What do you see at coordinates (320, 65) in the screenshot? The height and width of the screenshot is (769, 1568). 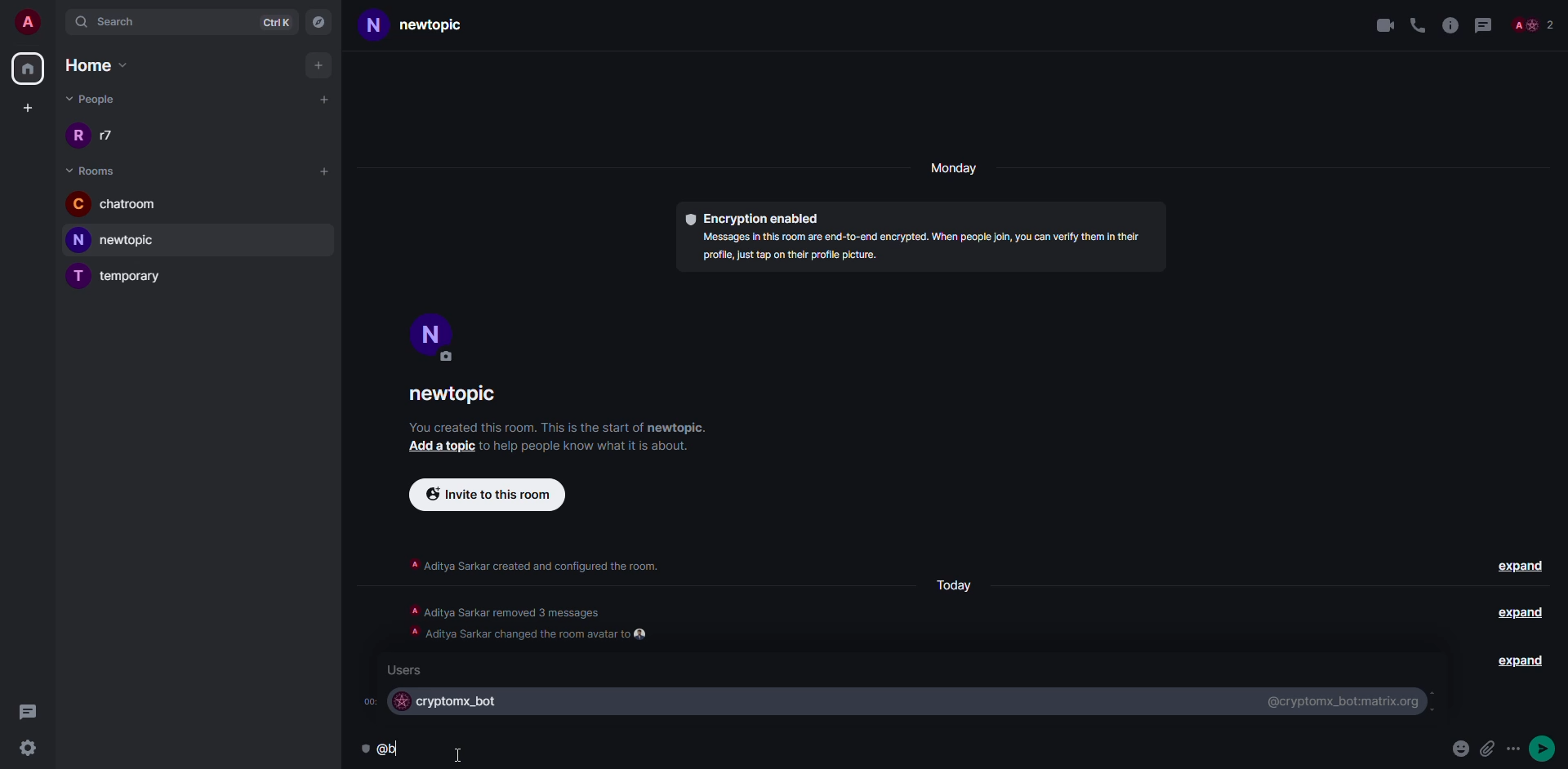 I see `add` at bounding box center [320, 65].